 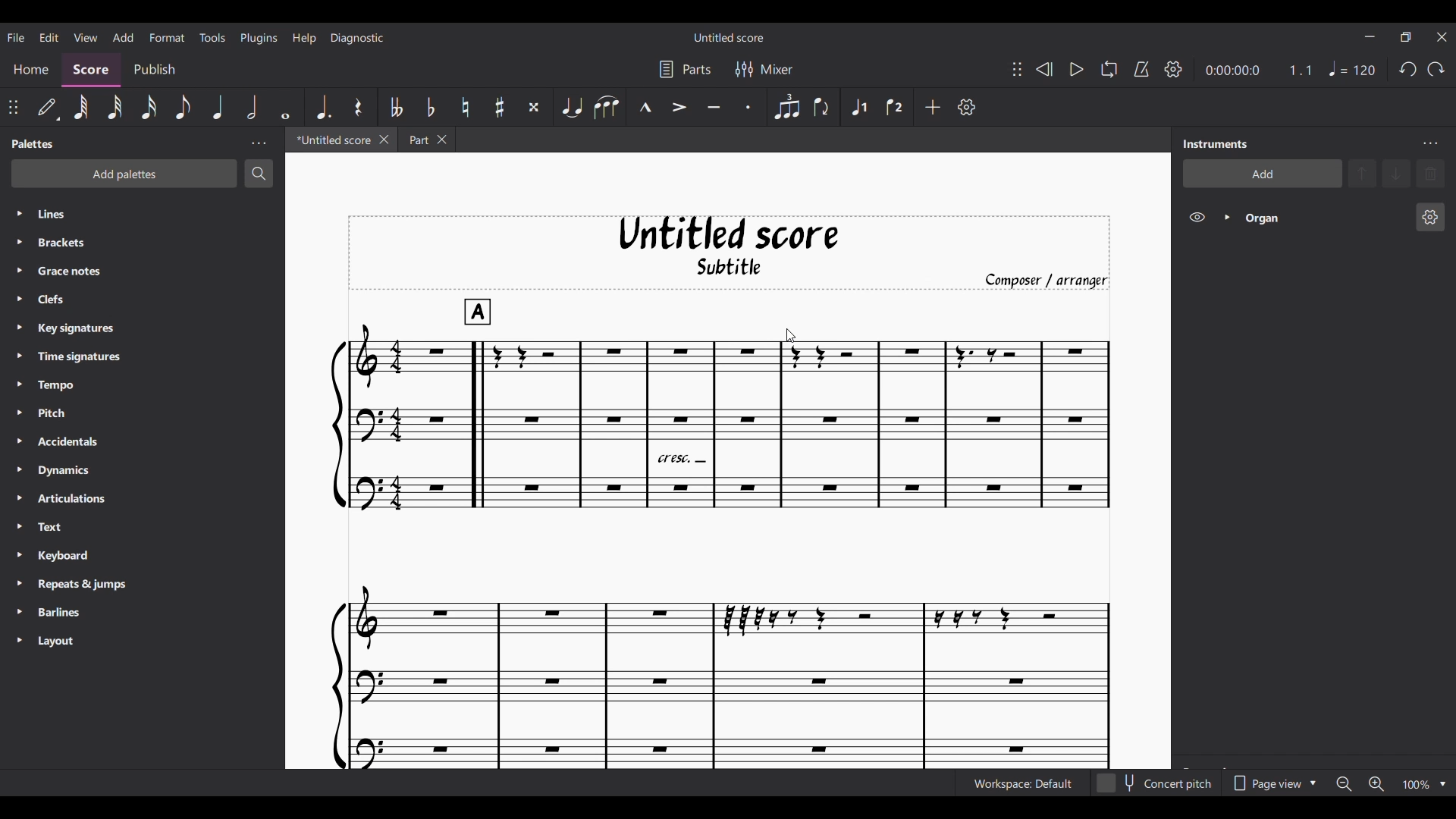 What do you see at coordinates (34, 143) in the screenshot?
I see `Panel title` at bounding box center [34, 143].